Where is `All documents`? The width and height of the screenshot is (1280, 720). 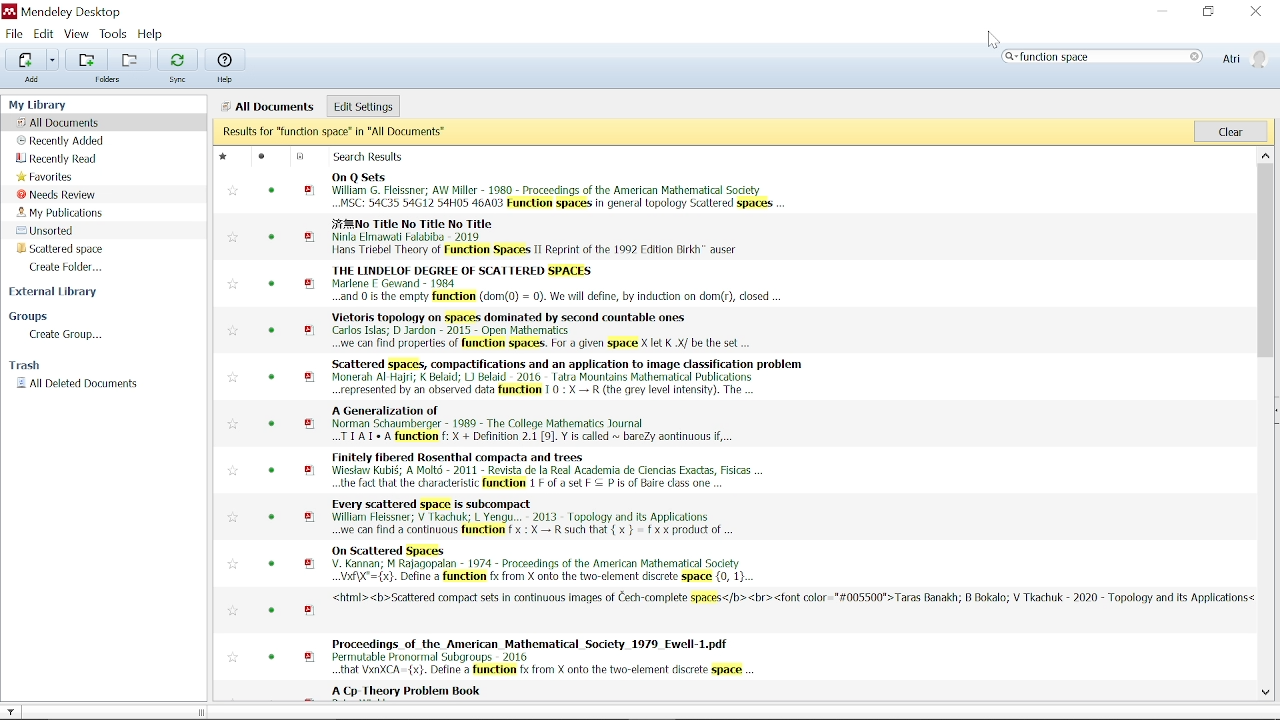 All documents is located at coordinates (61, 123).